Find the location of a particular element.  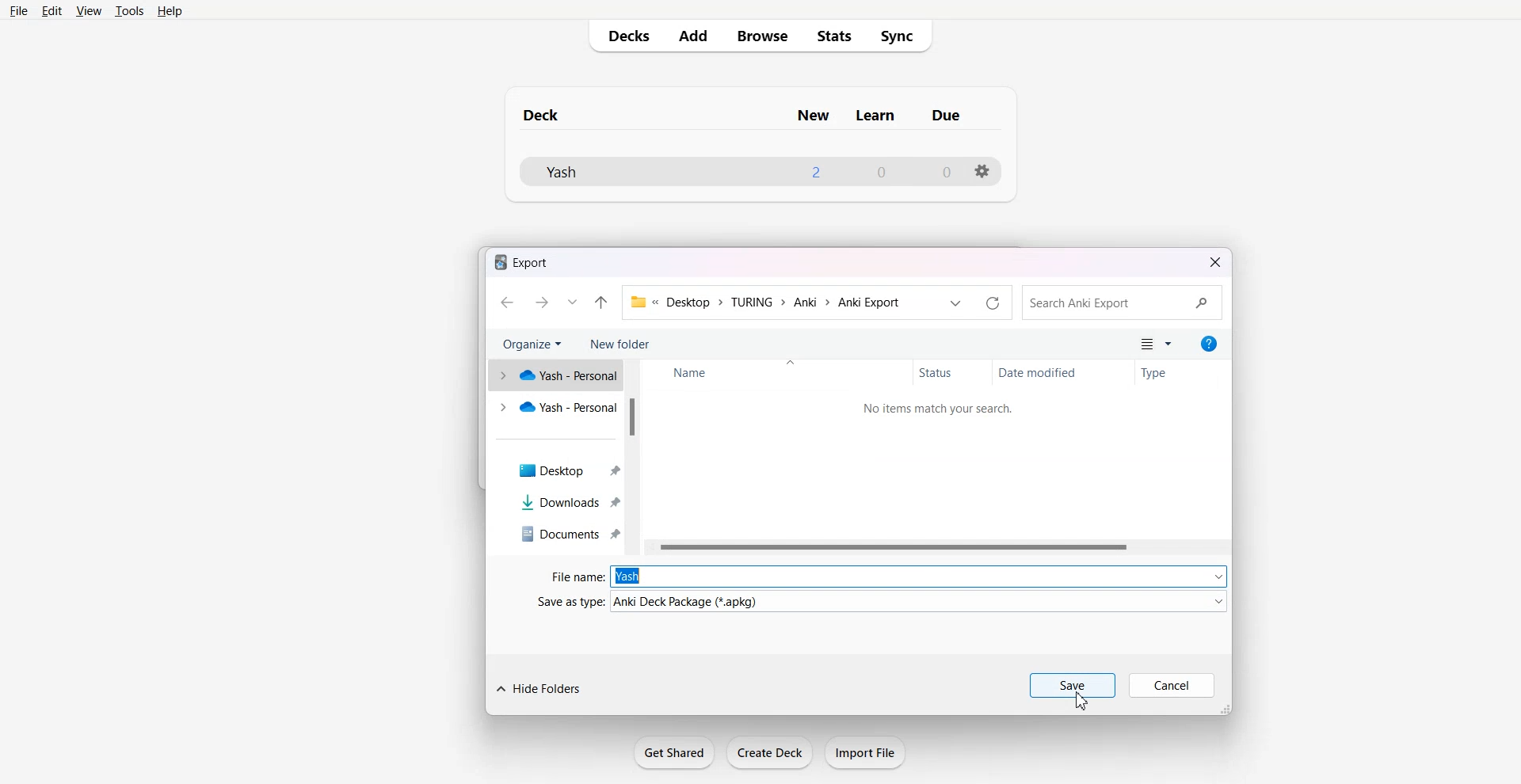

Decks is located at coordinates (626, 36).